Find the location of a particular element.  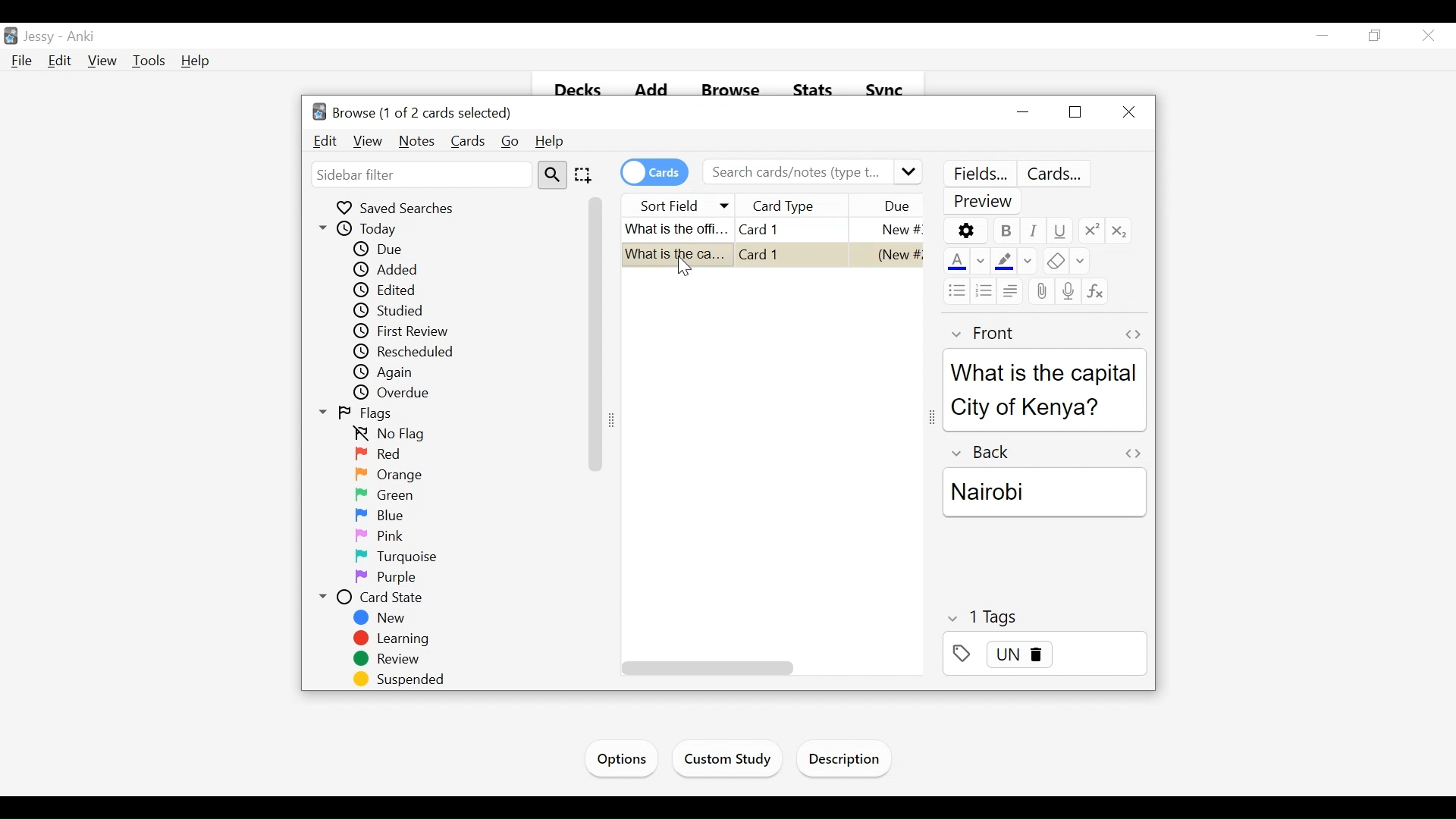

Equation is located at coordinates (1095, 291).